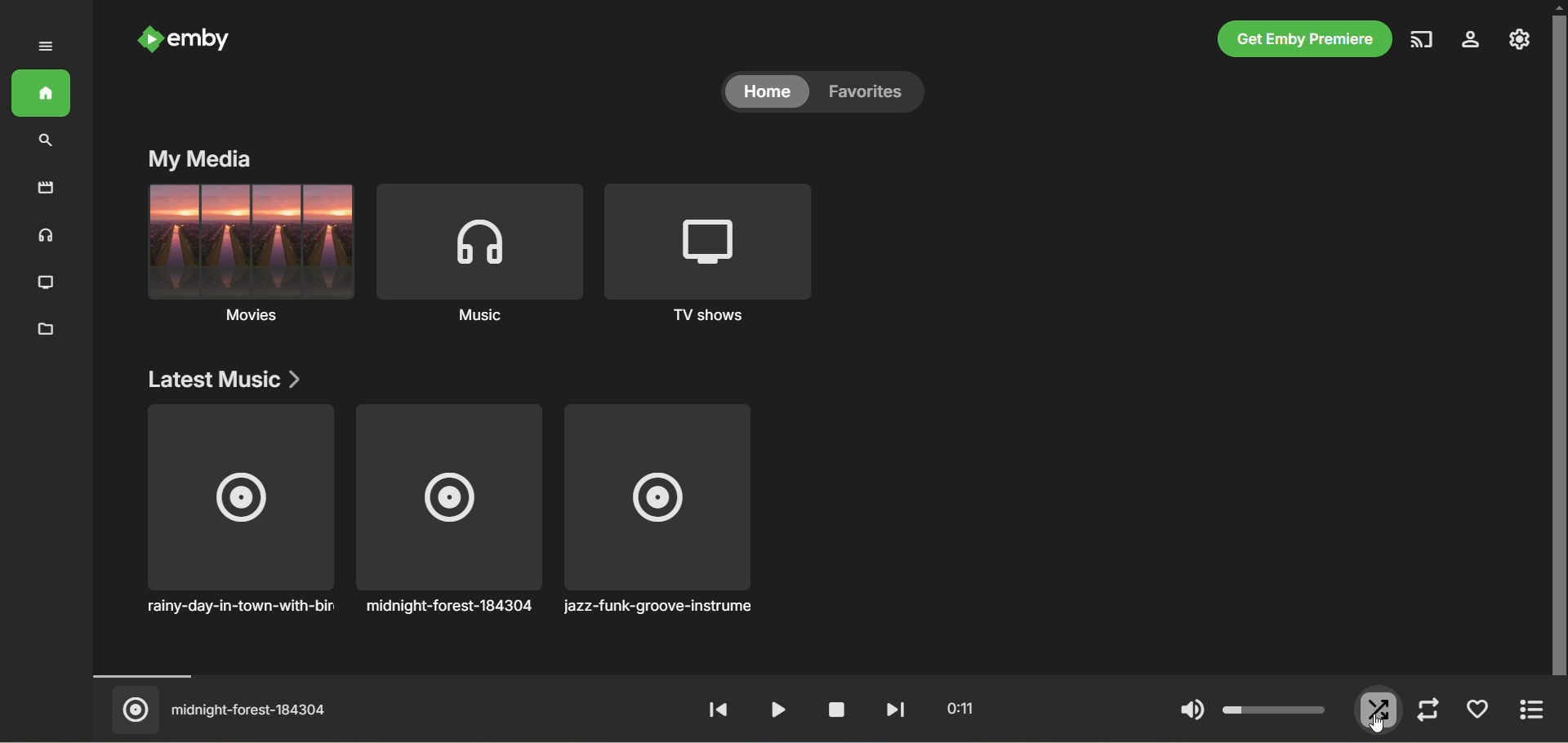  Describe the element at coordinates (764, 95) in the screenshot. I see `home` at that location.